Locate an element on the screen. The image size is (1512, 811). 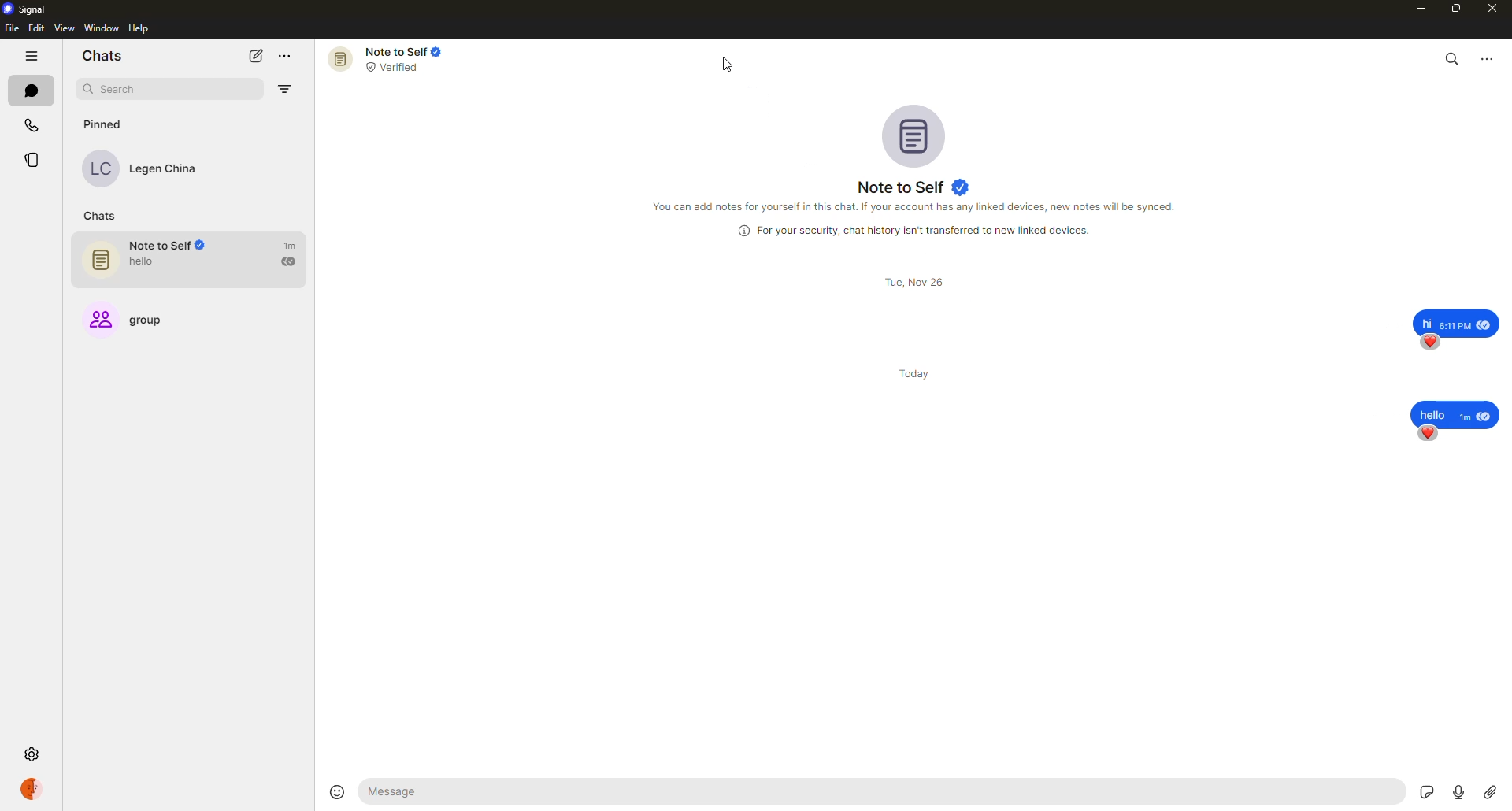
filter is located at coordinates (288, 91).